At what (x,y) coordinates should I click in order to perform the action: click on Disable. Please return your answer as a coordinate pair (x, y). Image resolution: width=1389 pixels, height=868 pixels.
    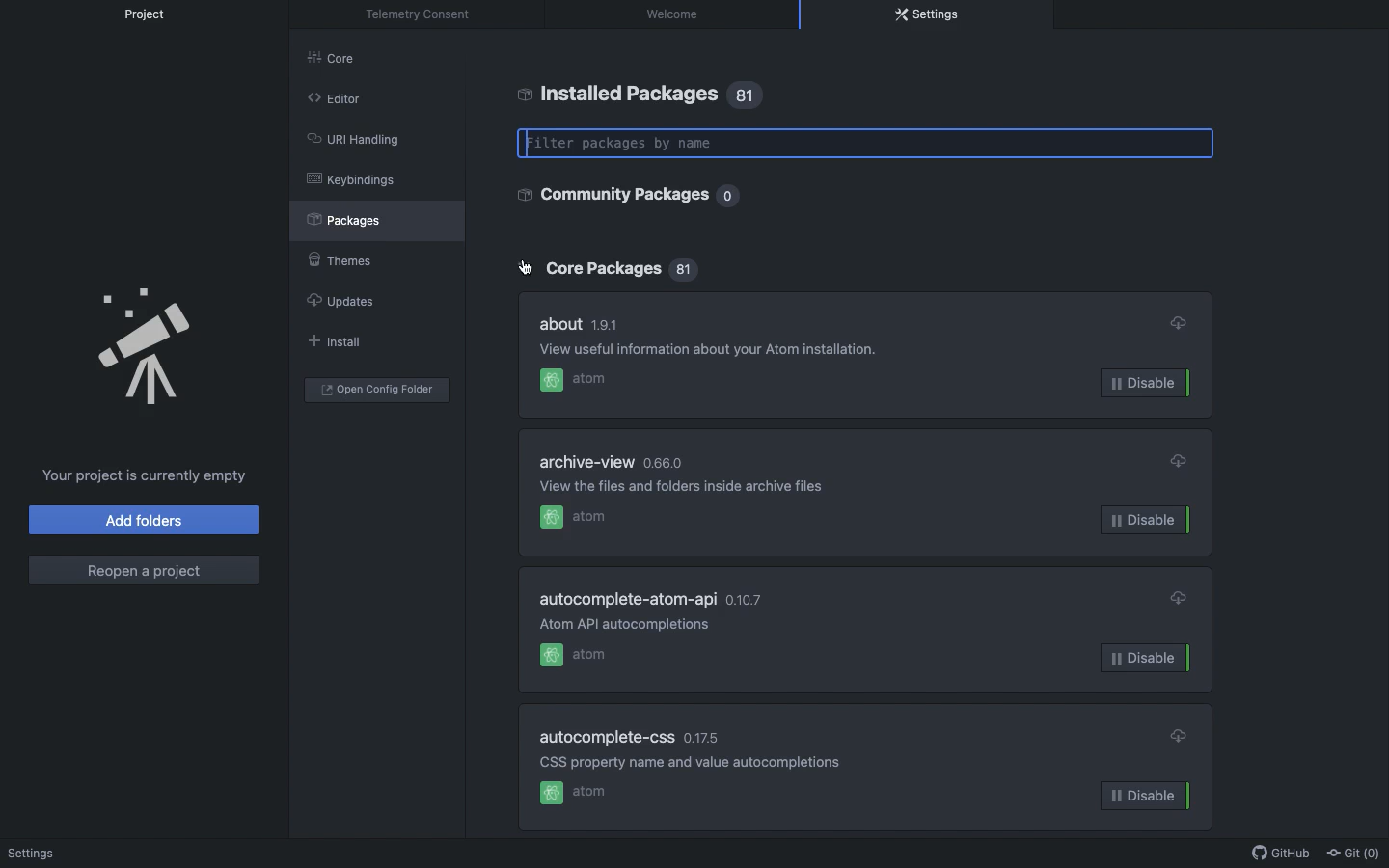
    Looking at the image, I should click on (1152, 384).